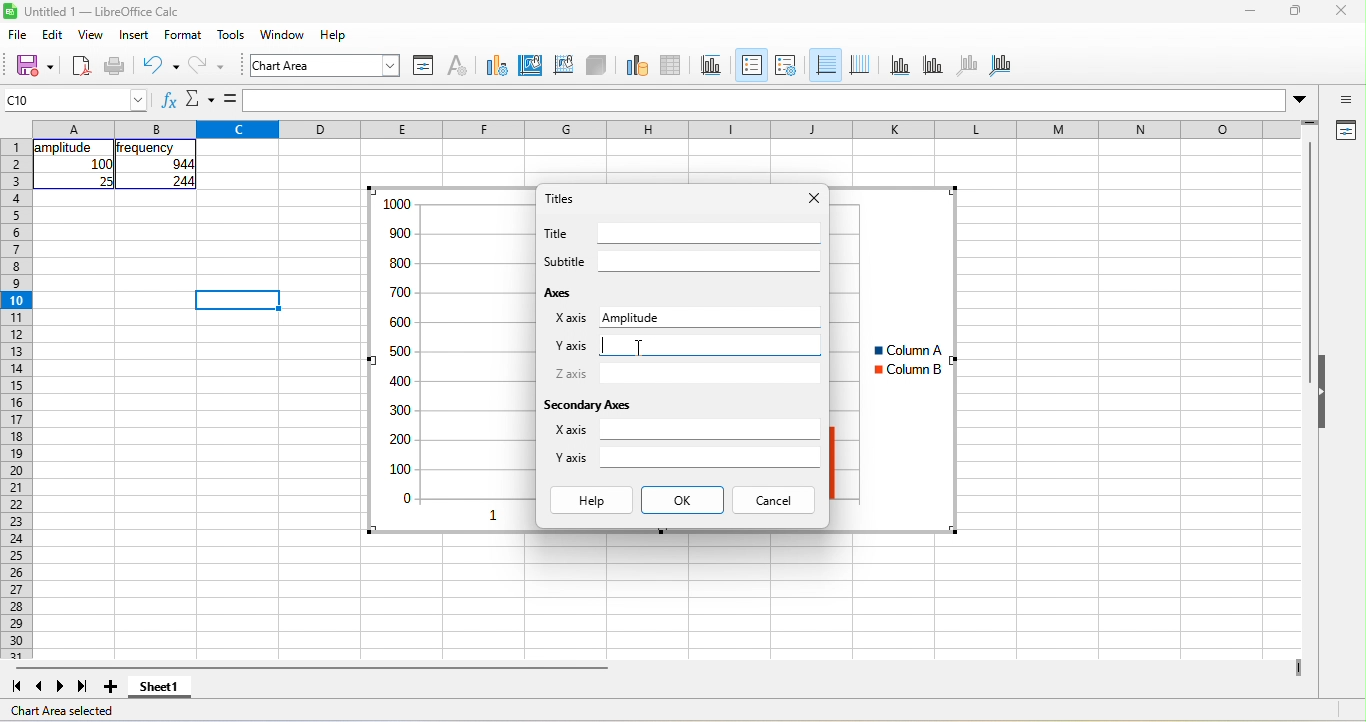 This screenshot has height=722, width=1366. Describe the element at coordinates (10, 11) in the screenshot. I see `Software logo` at that location.